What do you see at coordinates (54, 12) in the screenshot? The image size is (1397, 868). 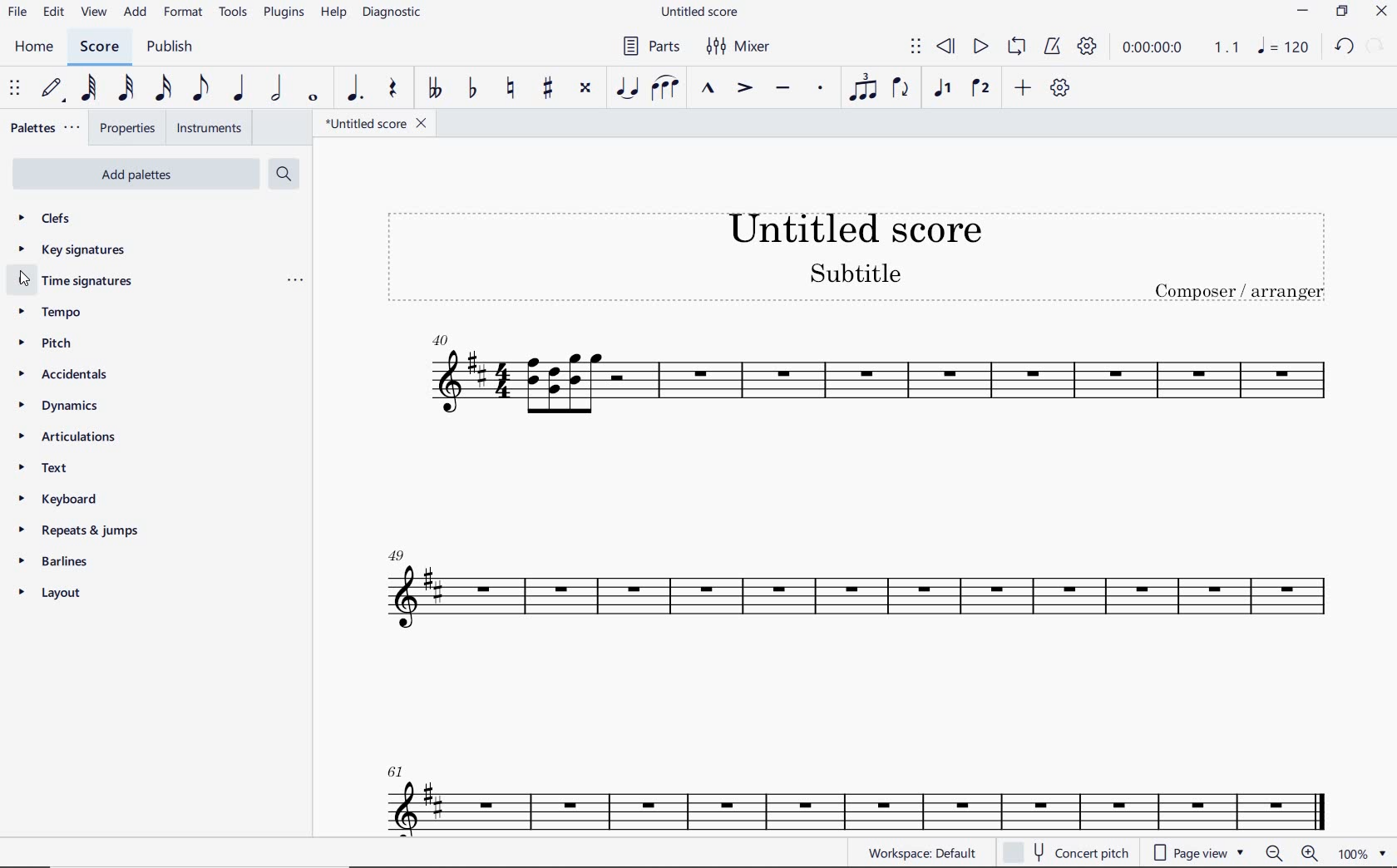 I see `EDIT` at bounding box center [54, 12].